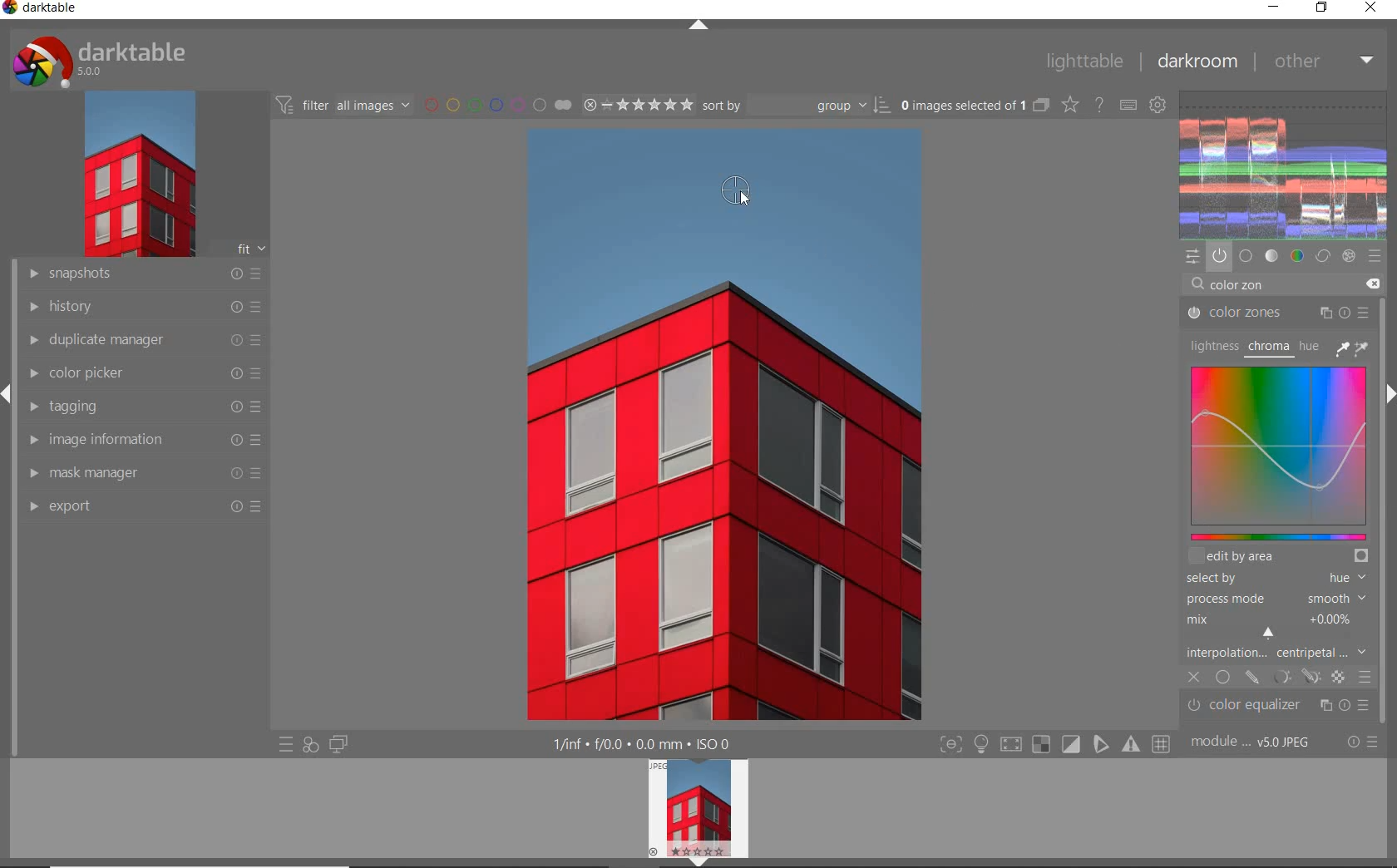  Describe the element at coordinates (1350, 256) in the screenshot. I see `effect` at that location.